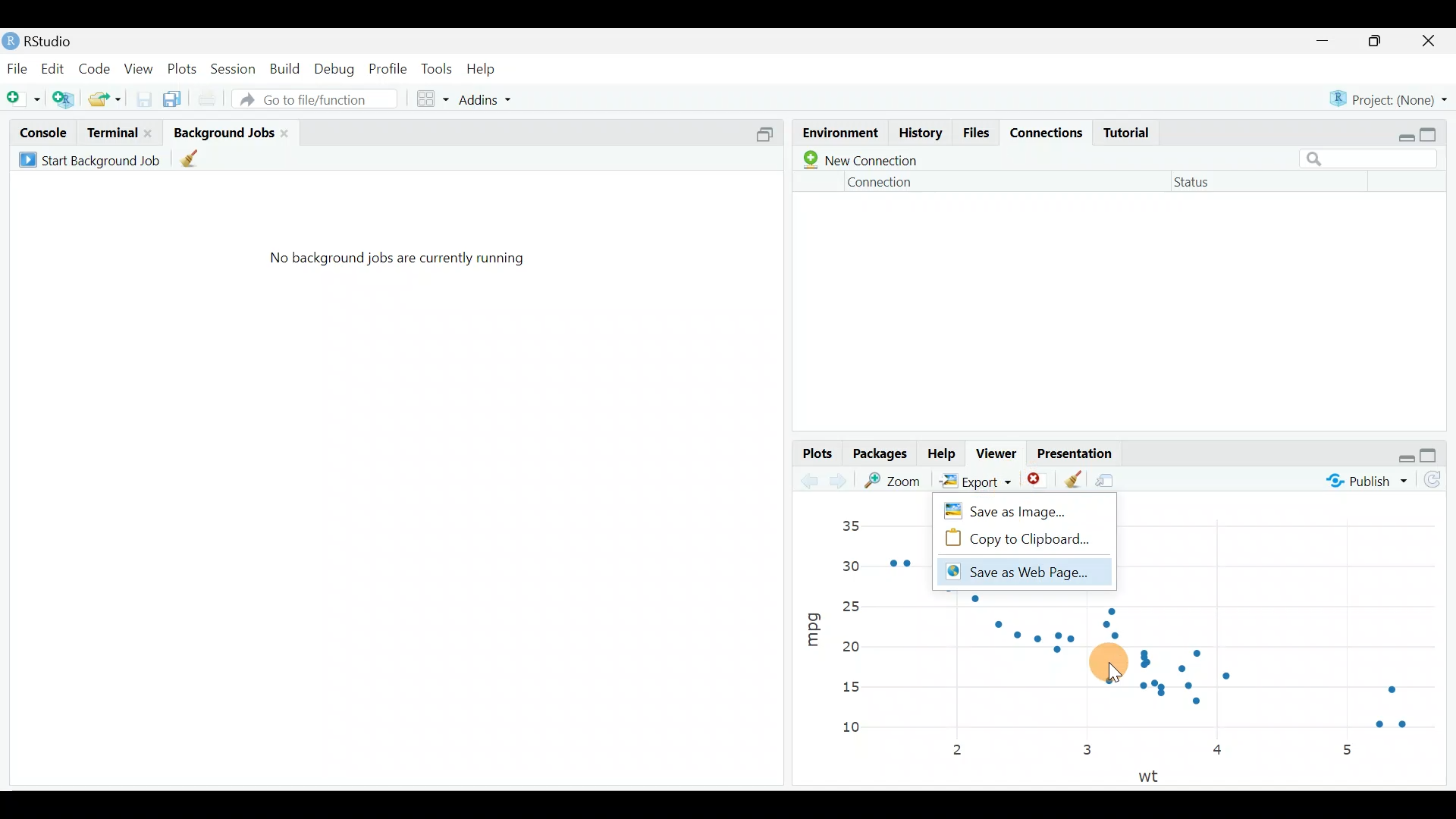 Image resolution: width=1456 pixels, height=819 pixels. Describe the element at coordinates (850, 526) in the screenshot. I see `35` at that location.